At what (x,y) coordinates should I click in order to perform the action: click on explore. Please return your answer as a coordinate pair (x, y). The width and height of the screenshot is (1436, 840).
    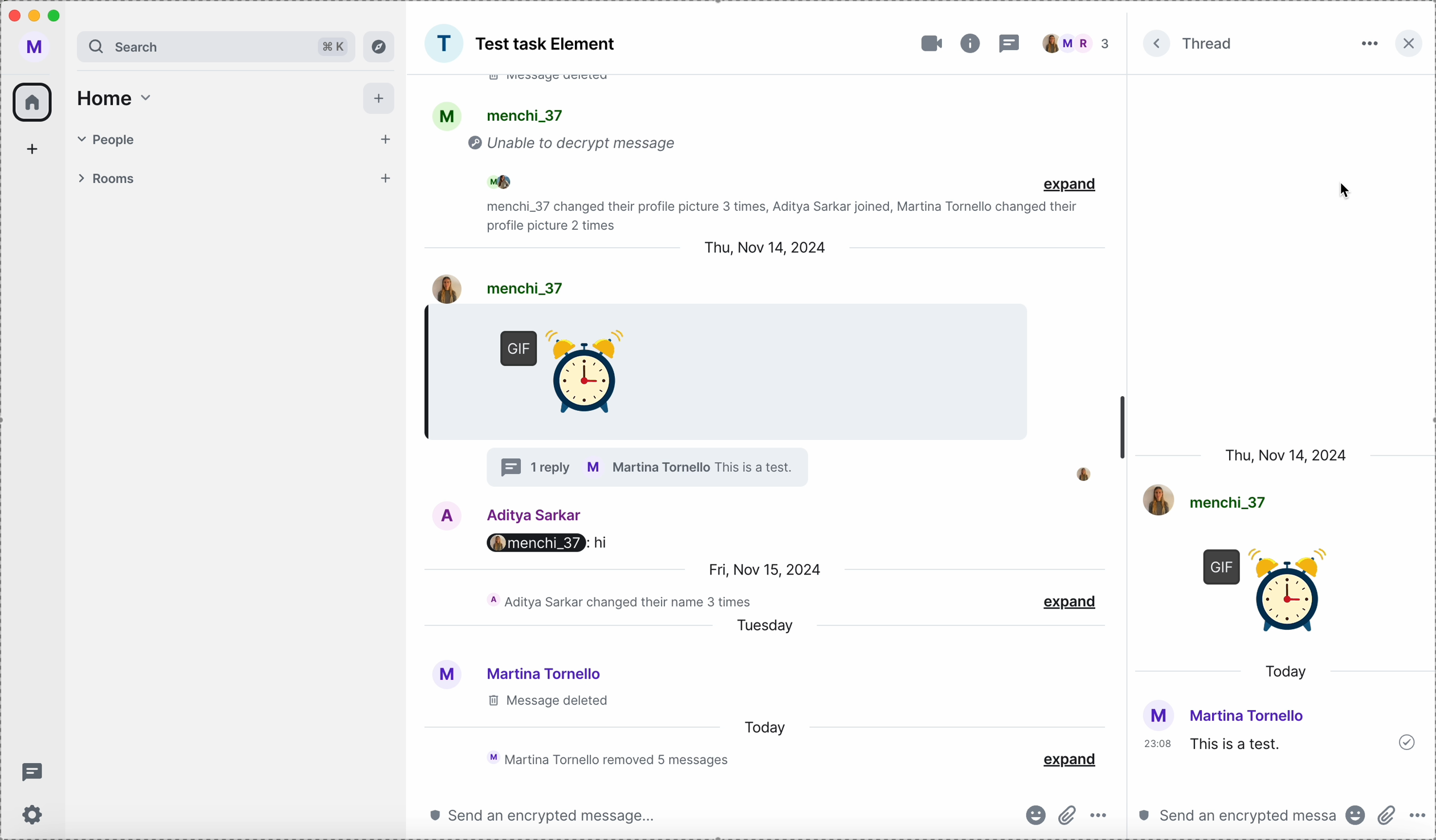
    Looking at the image, I should click on (380, 46).